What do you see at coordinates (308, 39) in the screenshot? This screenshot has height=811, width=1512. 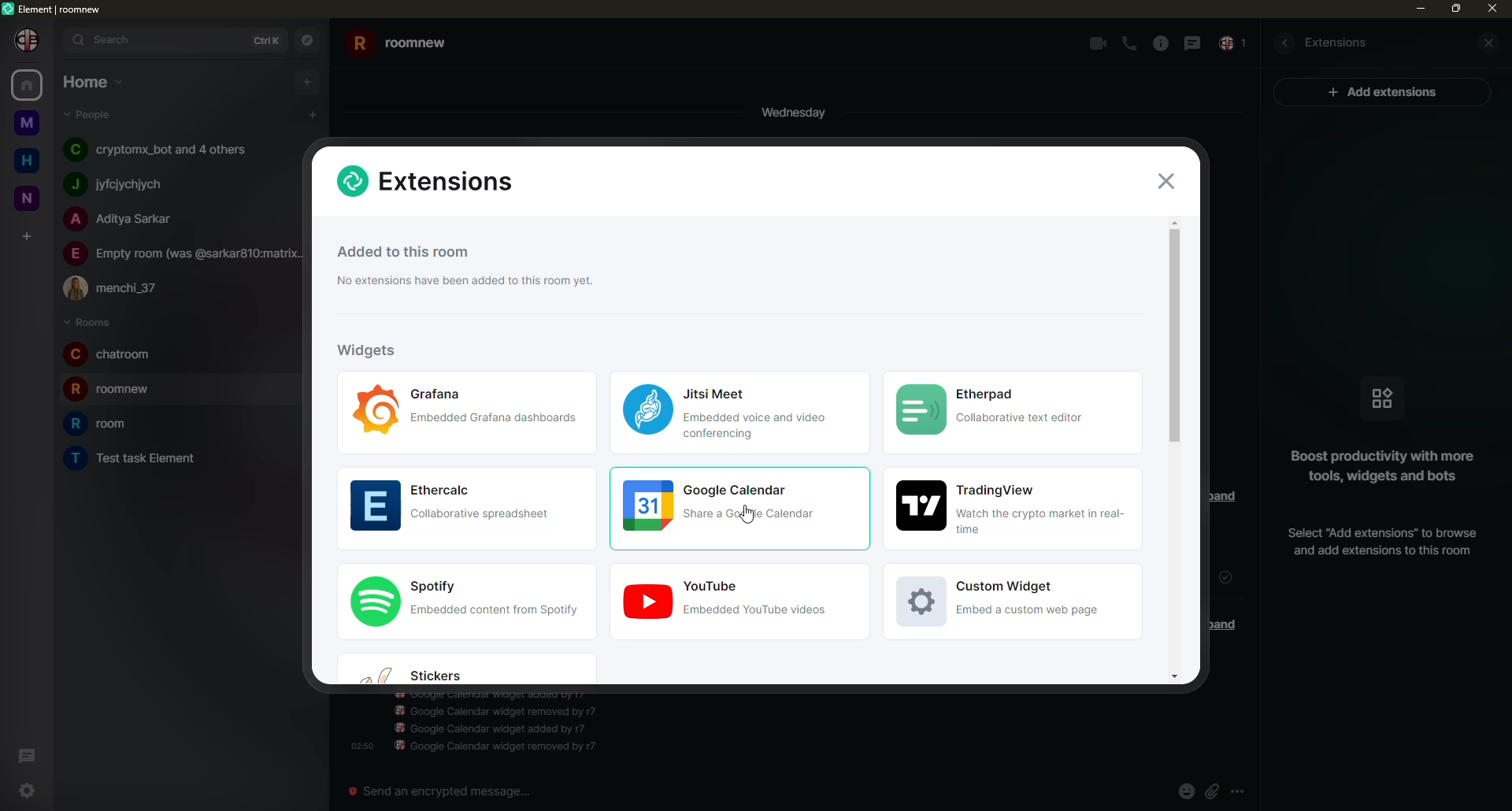 I see `navigator` at bounding box center [308, 39].